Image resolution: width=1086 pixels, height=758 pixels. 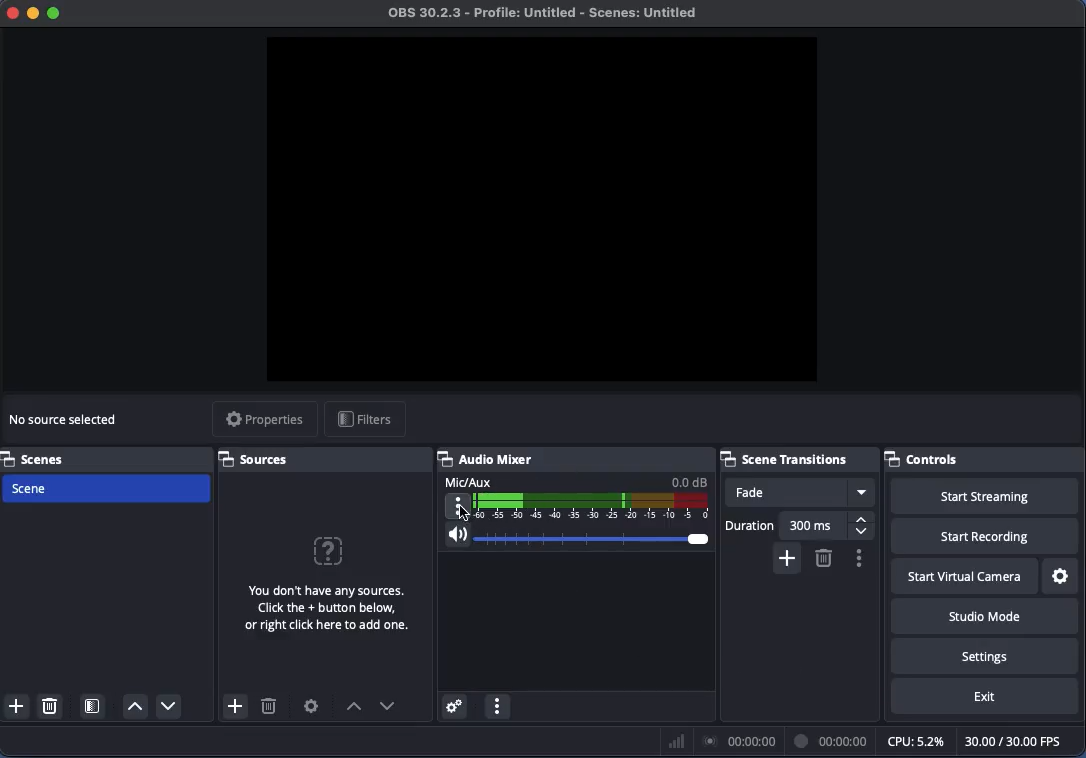 What do you see at coordinates (323, 580) in the screenshot?
I see `No source selected` at bounding box center [323, 580].